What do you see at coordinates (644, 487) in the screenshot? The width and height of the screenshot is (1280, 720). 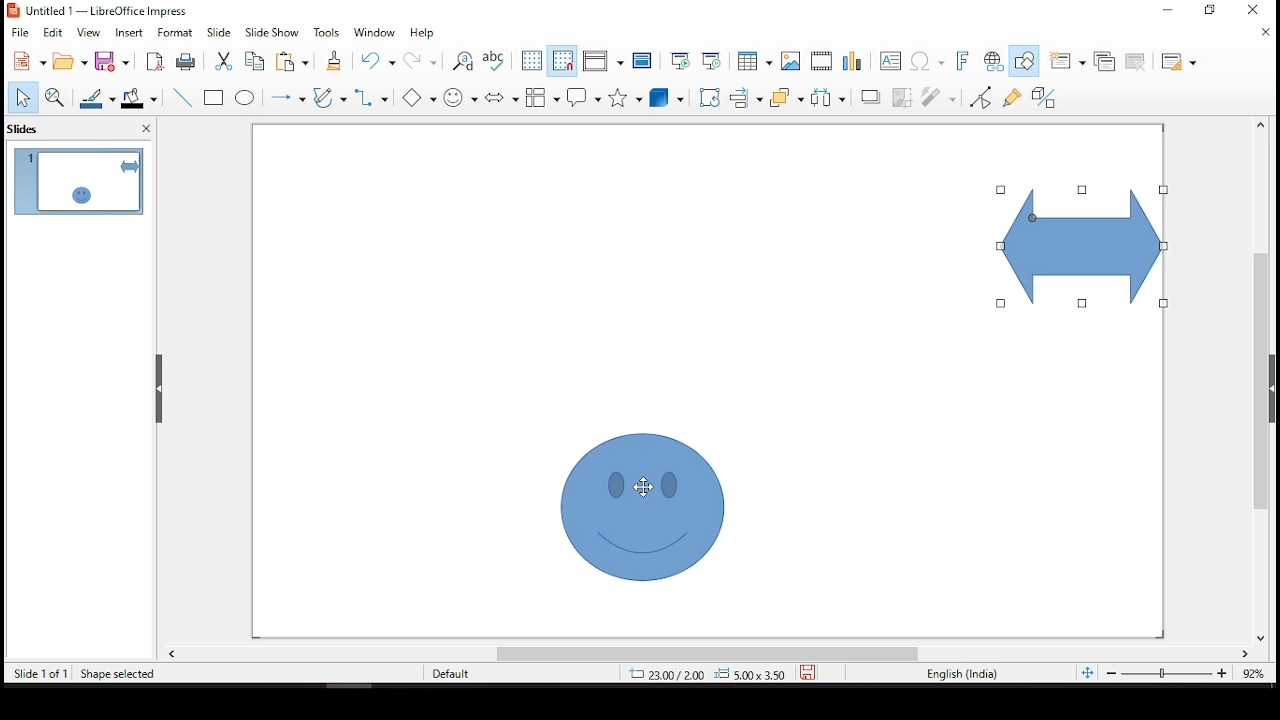 I see `mouse pointer` at bounding box center [644, 487].